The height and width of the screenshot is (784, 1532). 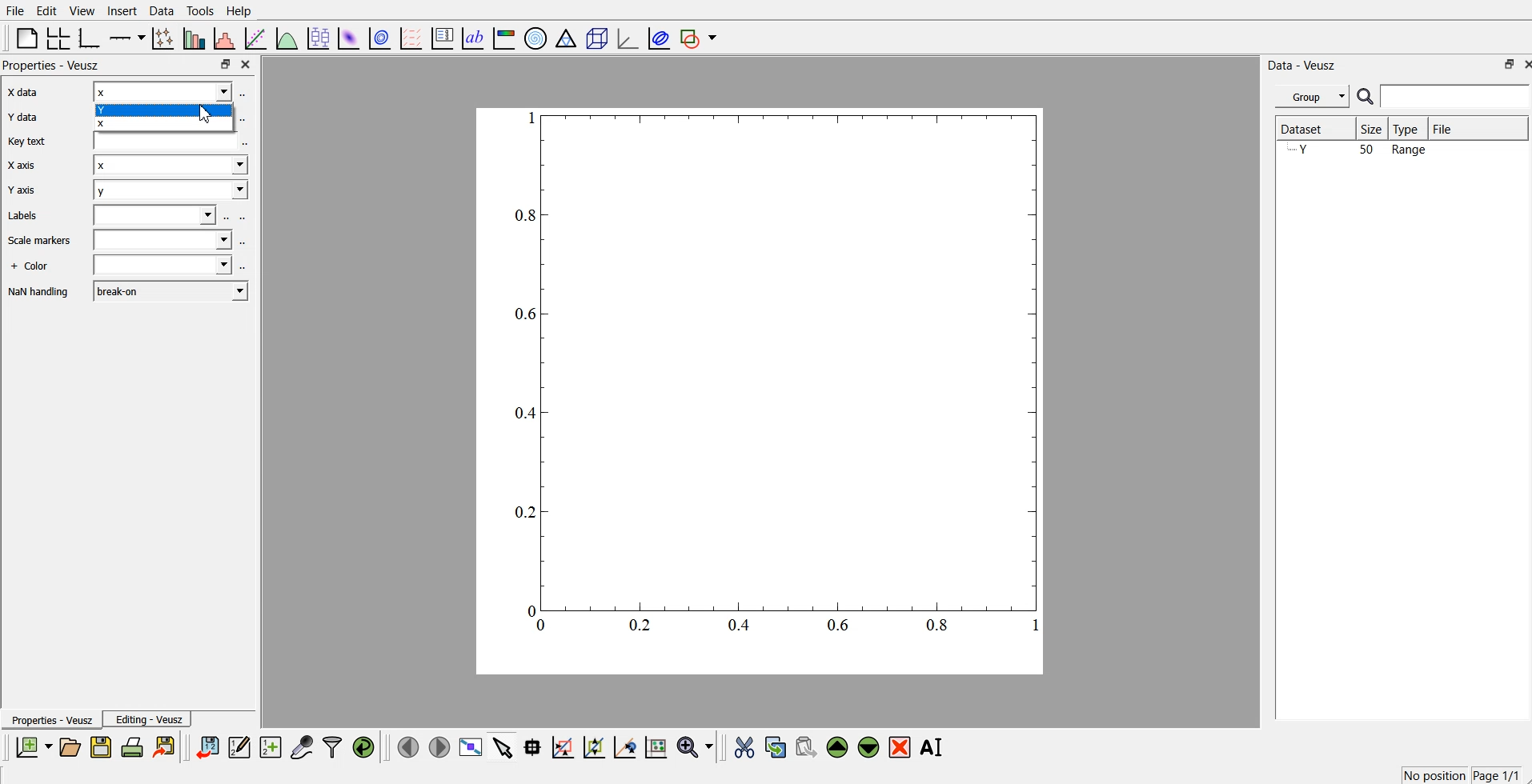 What do you see at coordinates (1410, 128) in the screenshot?
I see `Type` at bounding box center [1410, 128].